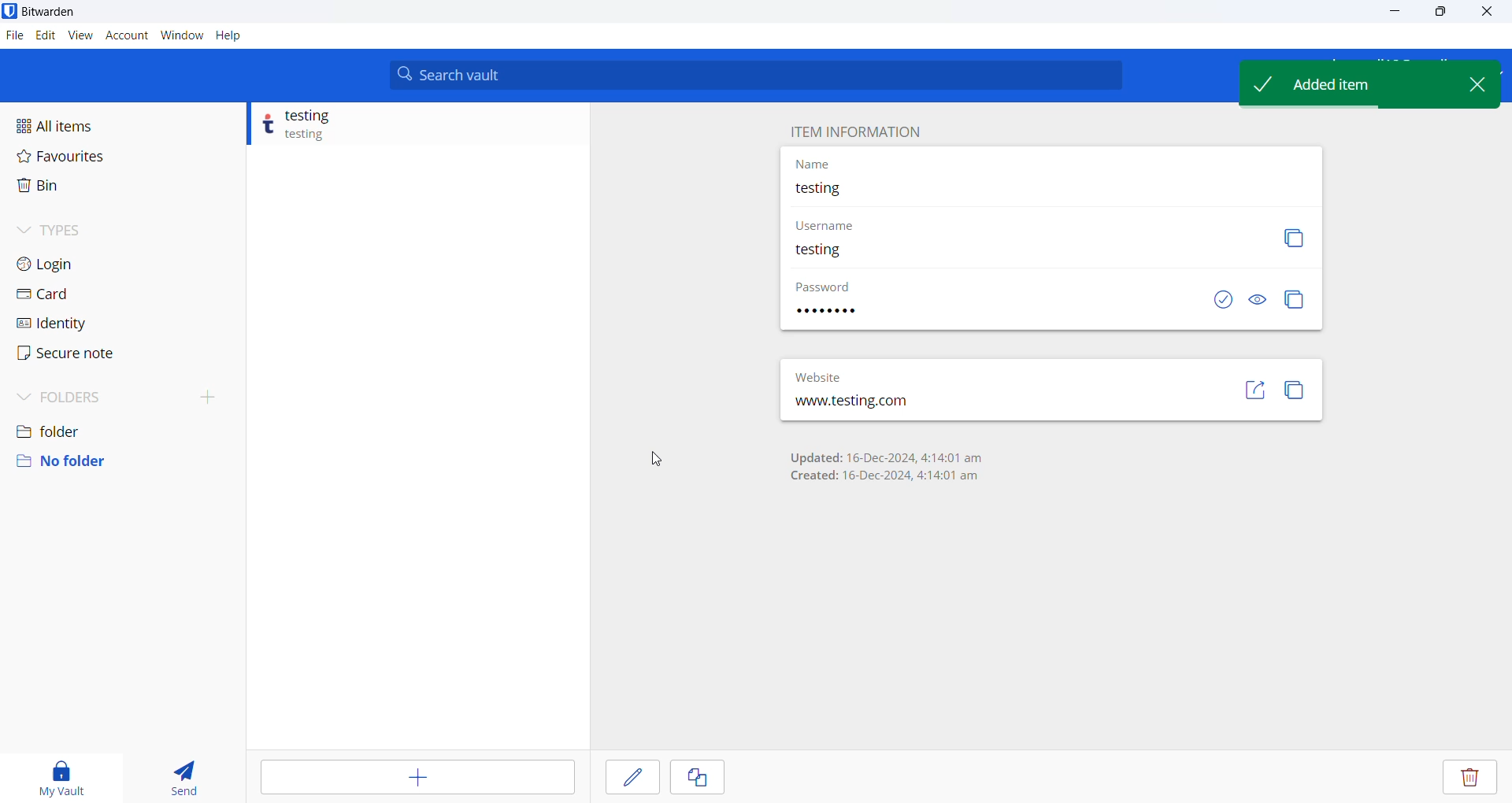 The height and width of the screenshot is (803, 1512). Describe the element at coordinates (824, 284) in the screenshot. I see `password heading` at that location.